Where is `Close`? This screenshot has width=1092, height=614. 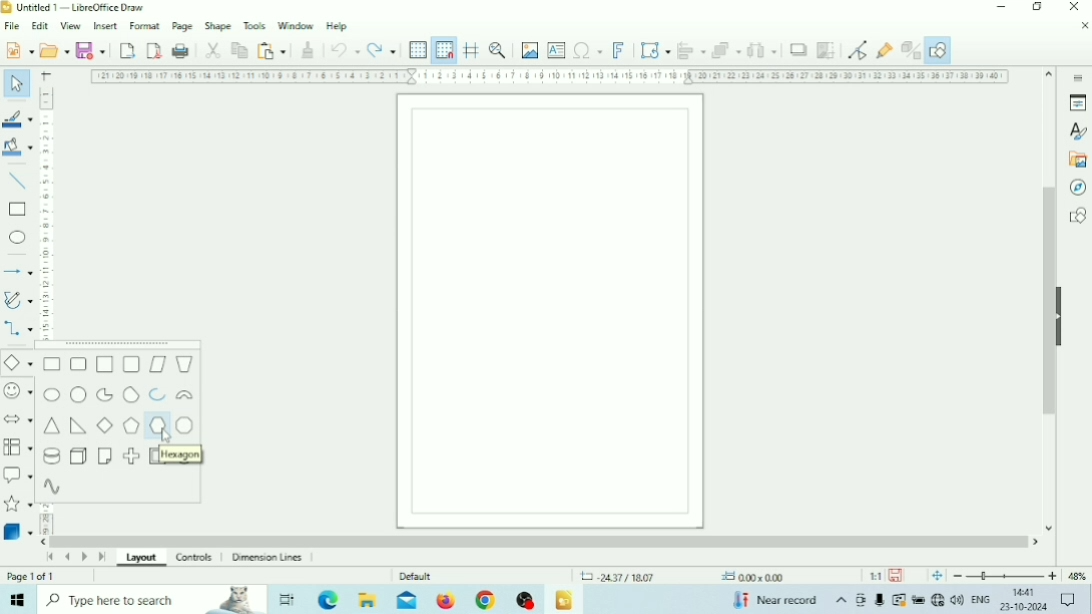
Close is located at coordinates (1073, 7).